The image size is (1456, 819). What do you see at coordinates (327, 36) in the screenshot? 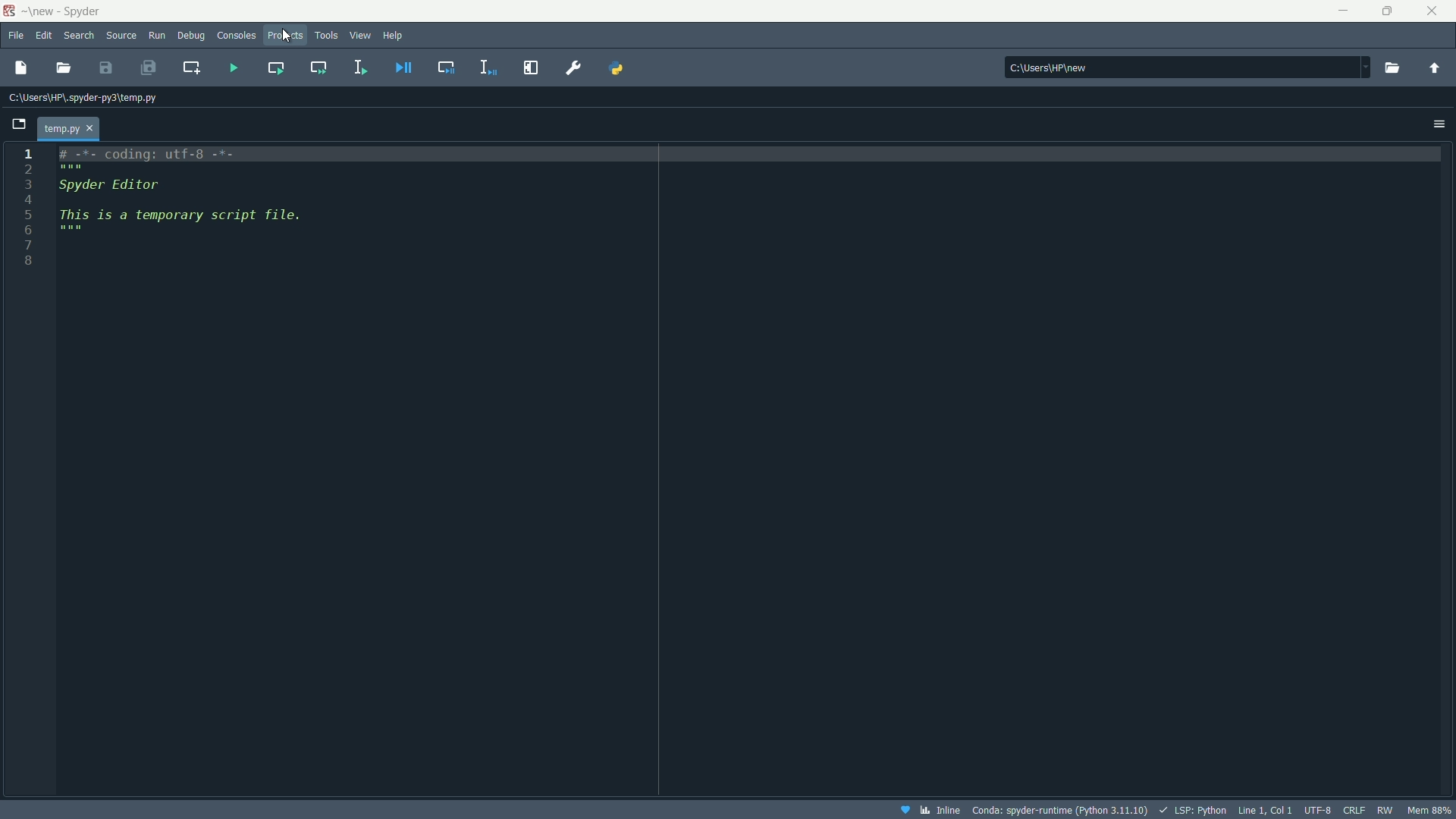
I see `Tools menu` at bounding box center [327, 36].